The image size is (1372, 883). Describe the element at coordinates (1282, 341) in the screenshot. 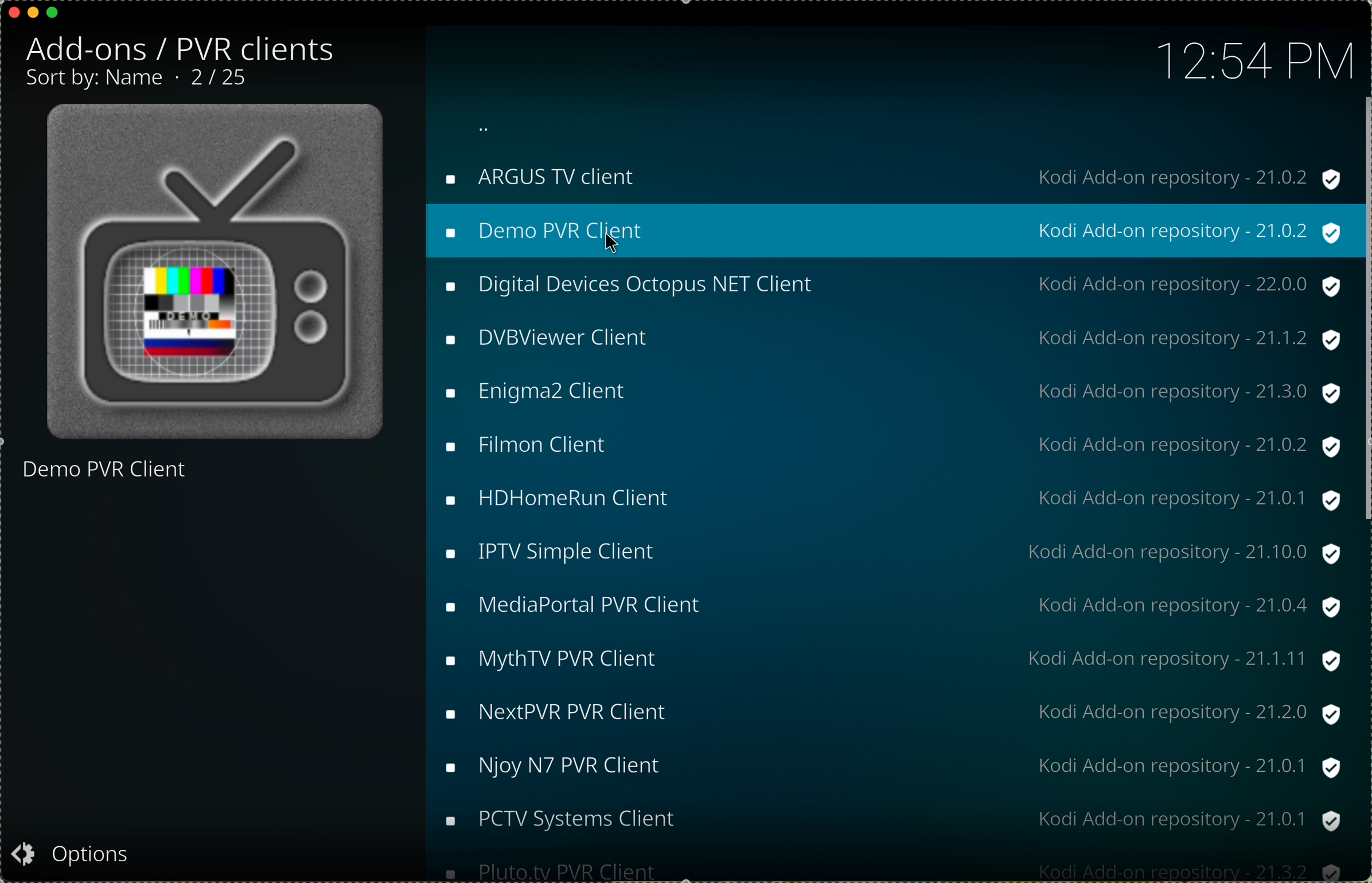

I see `21.1.2` at that location.